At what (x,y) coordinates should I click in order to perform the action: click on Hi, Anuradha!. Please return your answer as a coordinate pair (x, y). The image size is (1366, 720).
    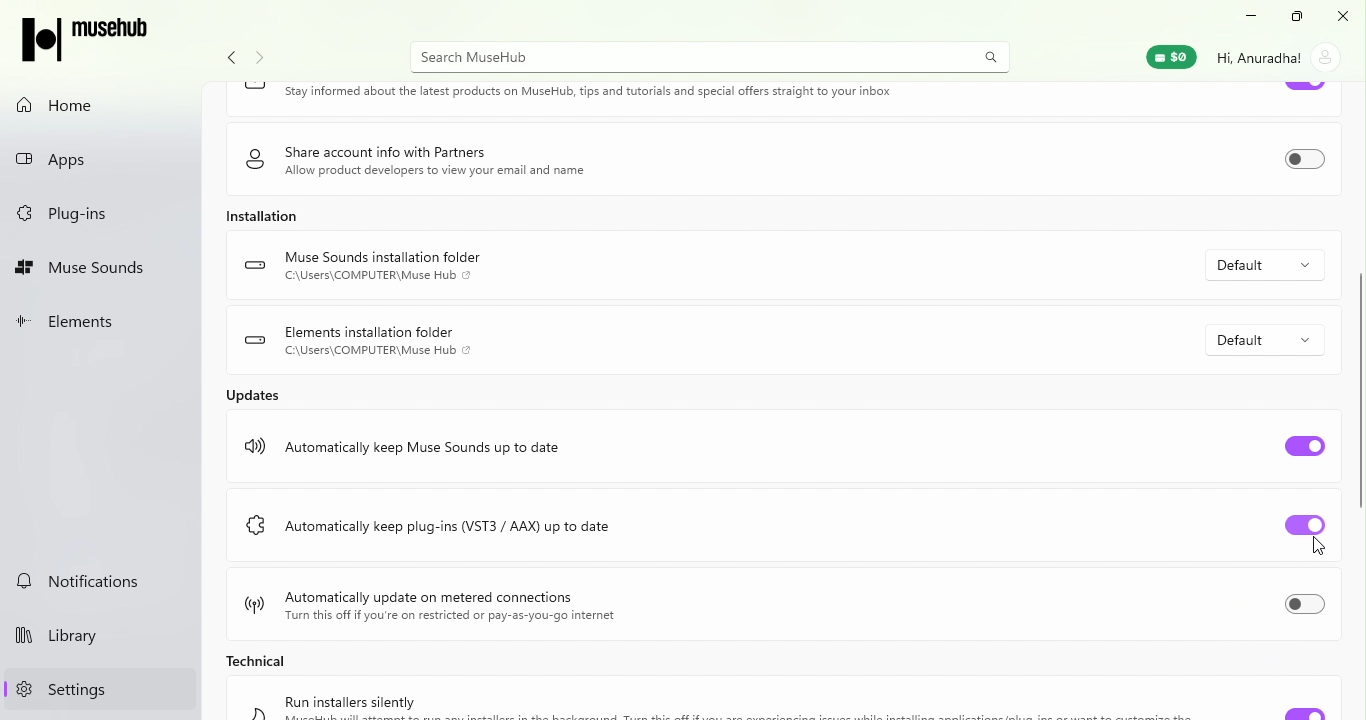
    Looking at the image, I should click on (1259, 58).